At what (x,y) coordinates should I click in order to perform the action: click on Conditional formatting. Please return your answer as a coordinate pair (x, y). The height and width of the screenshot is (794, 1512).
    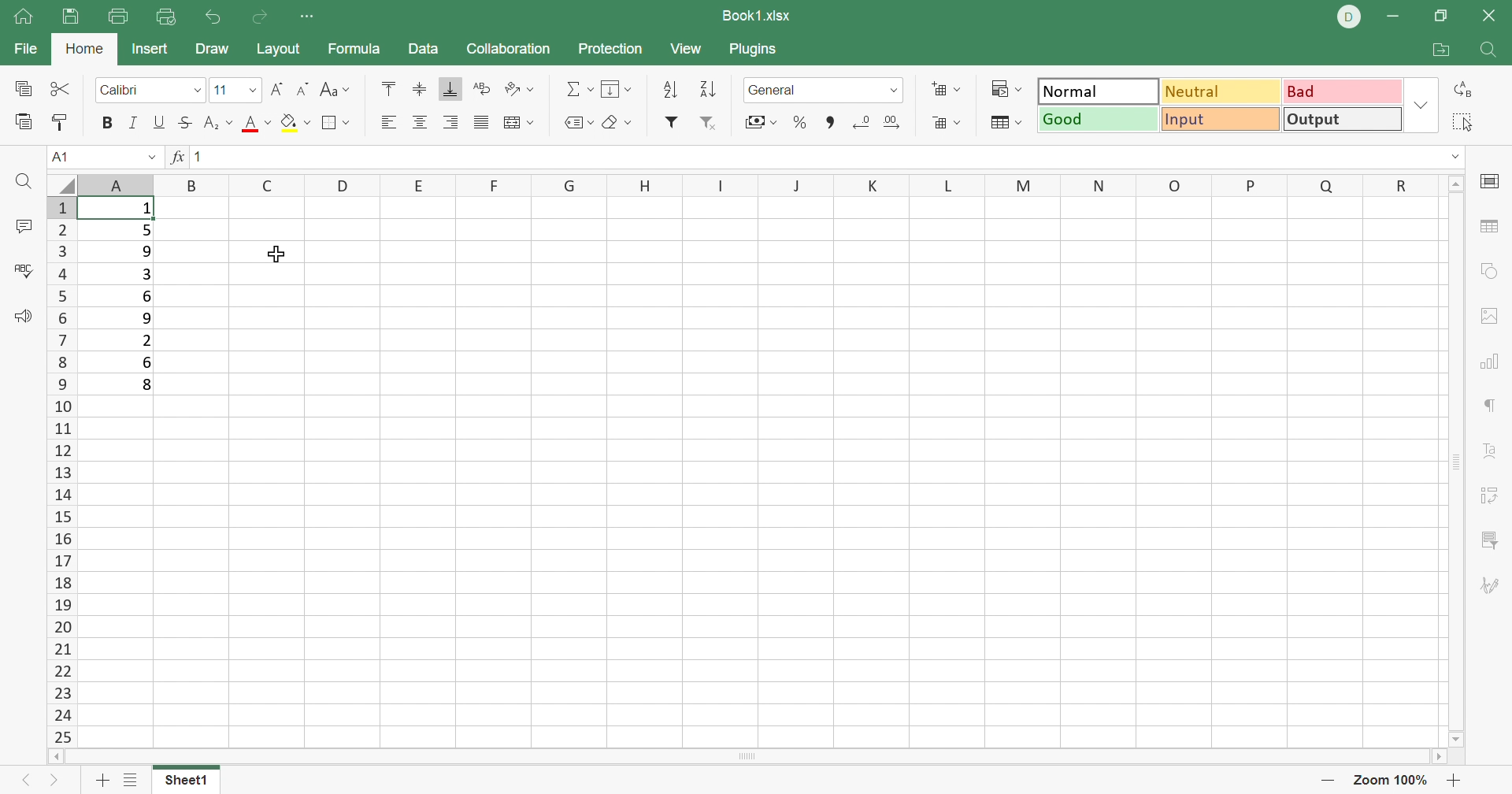
    Looking at the image, I should click on (1002, 89).